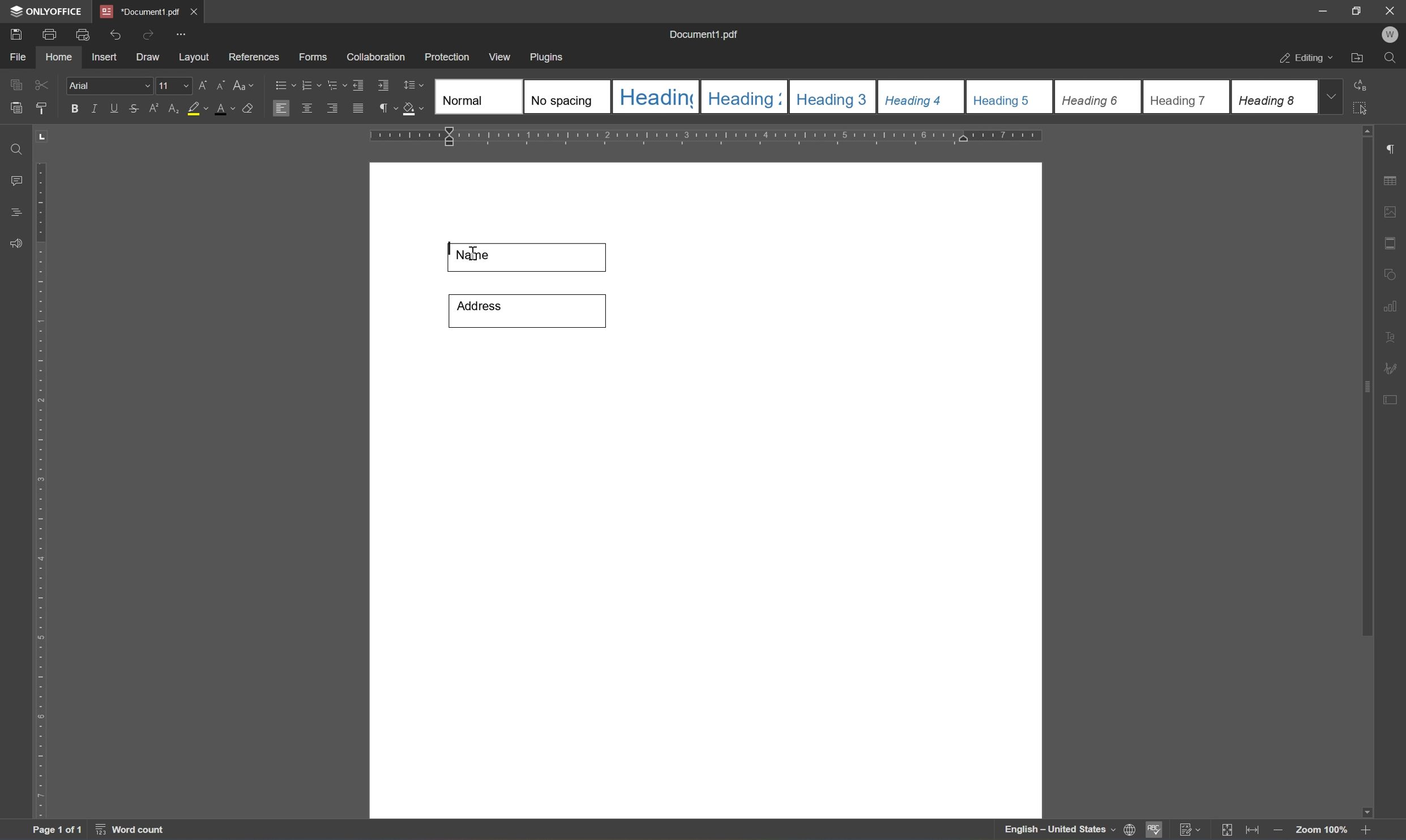 This screenshot has height=840, width=1406. I want to click on file, so click(22, 57).